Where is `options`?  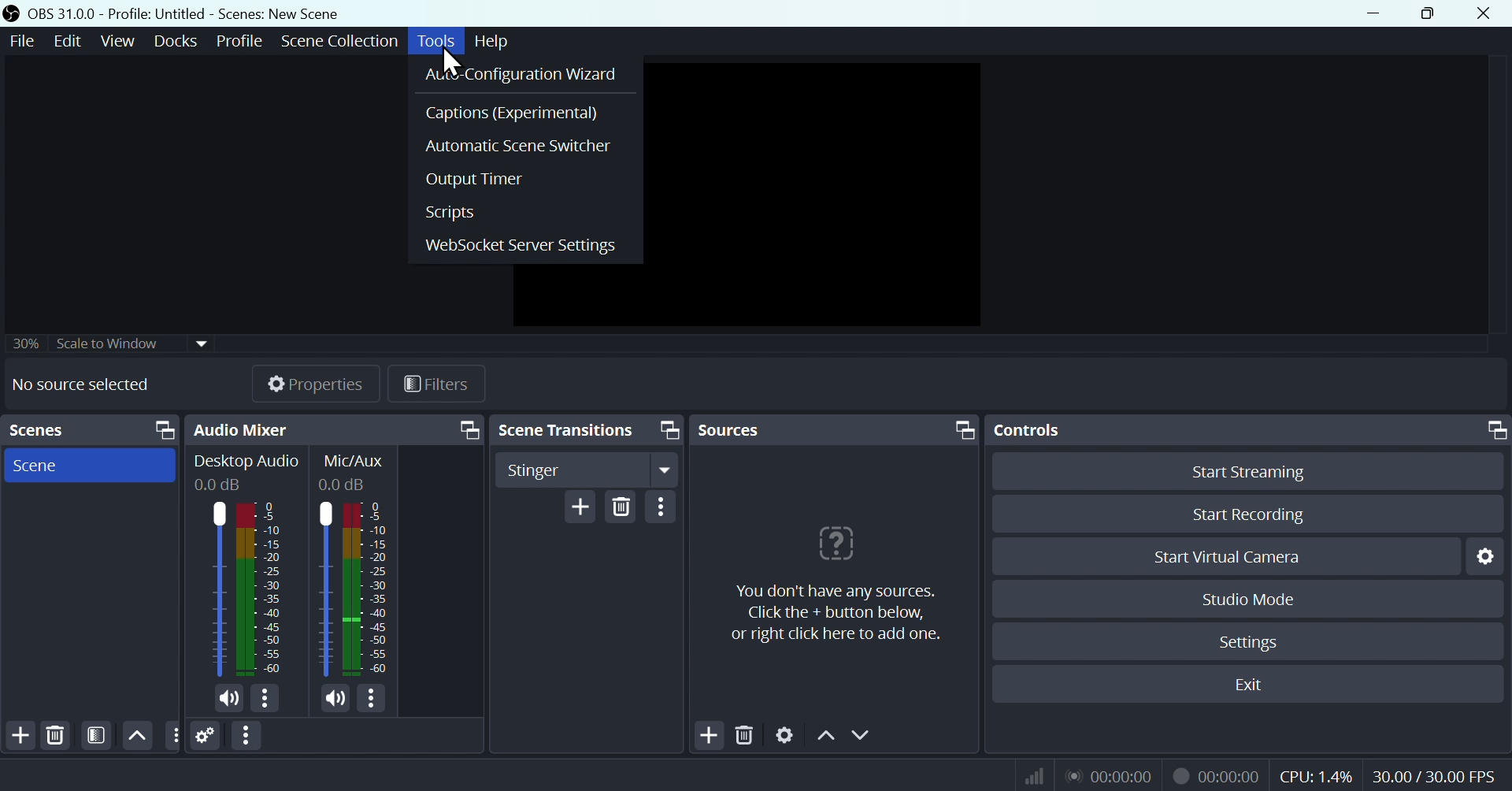
options is located at coordinates (370, 698).